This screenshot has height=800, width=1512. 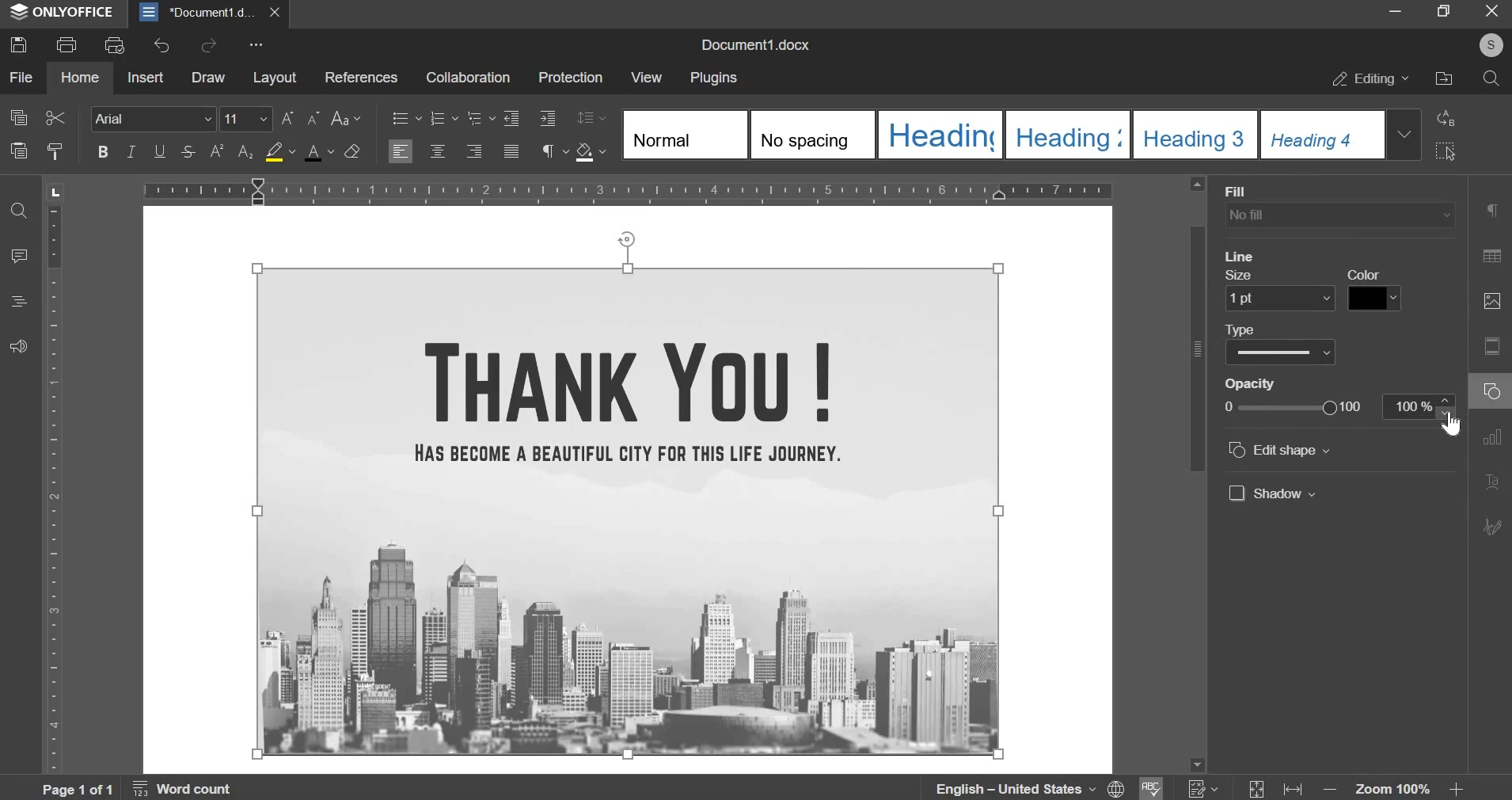 What do you see at coordinates (17, 345) in the screenshot?
I see `feedback` at bounding box center [17, 345].